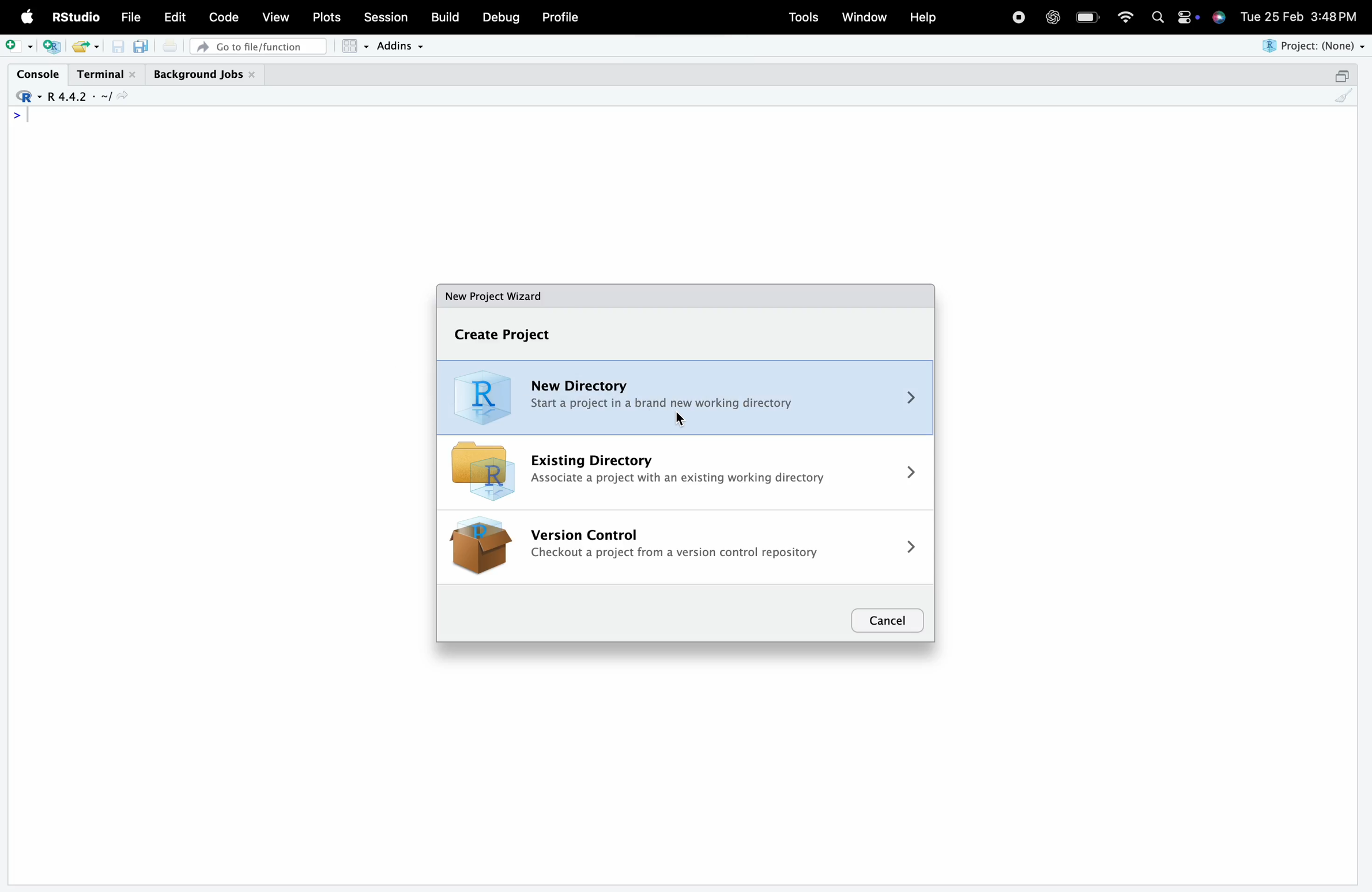 The width and height of the screenshot is (1372, 892). What do you see at coordinates (1311, 46) in the screenshot?
I see `Project: (None)` at bounding box center [1311, 46].